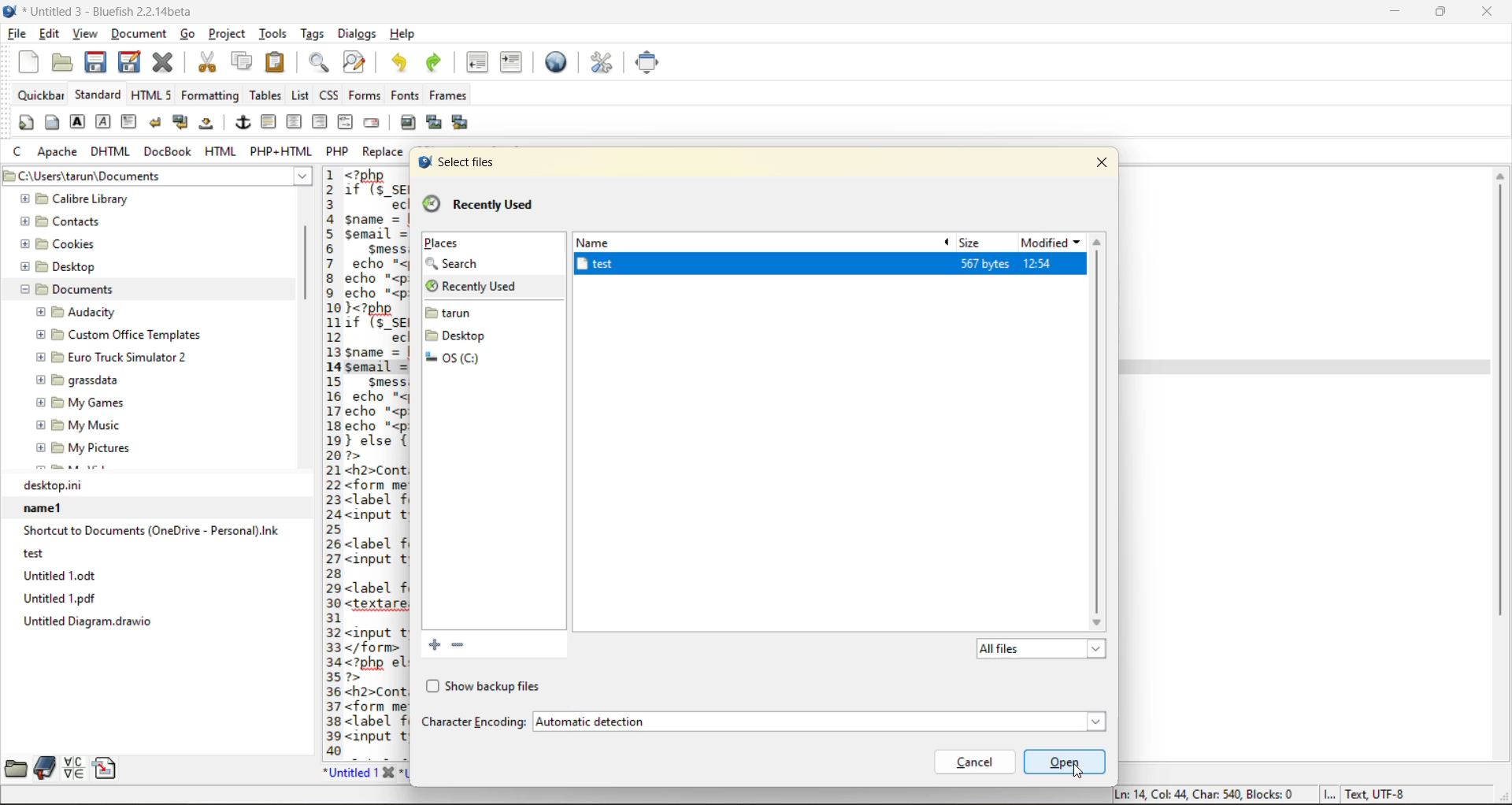  Describe the element at coordinates (340, 151) in the screenshot. I see `php` at that location.